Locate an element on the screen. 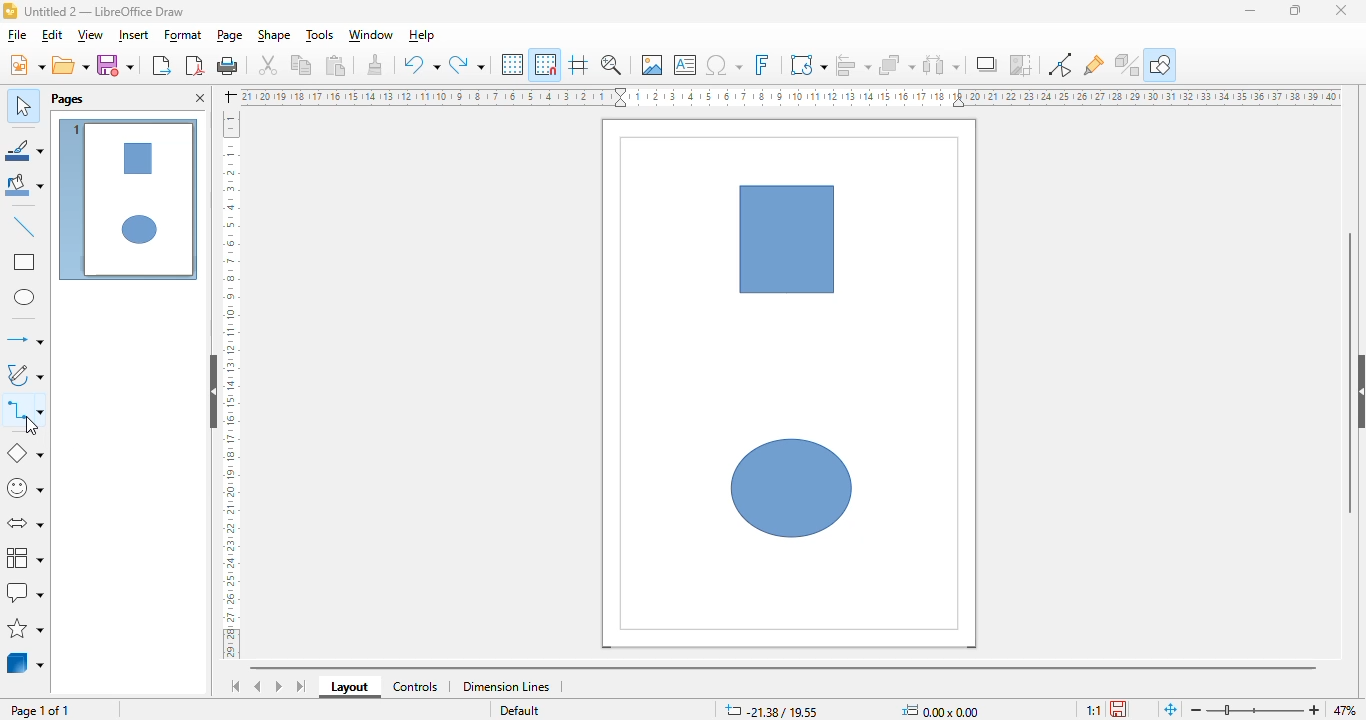 This screenshot has width=1366, height=720. insert image is located at coordinates (652, 64).